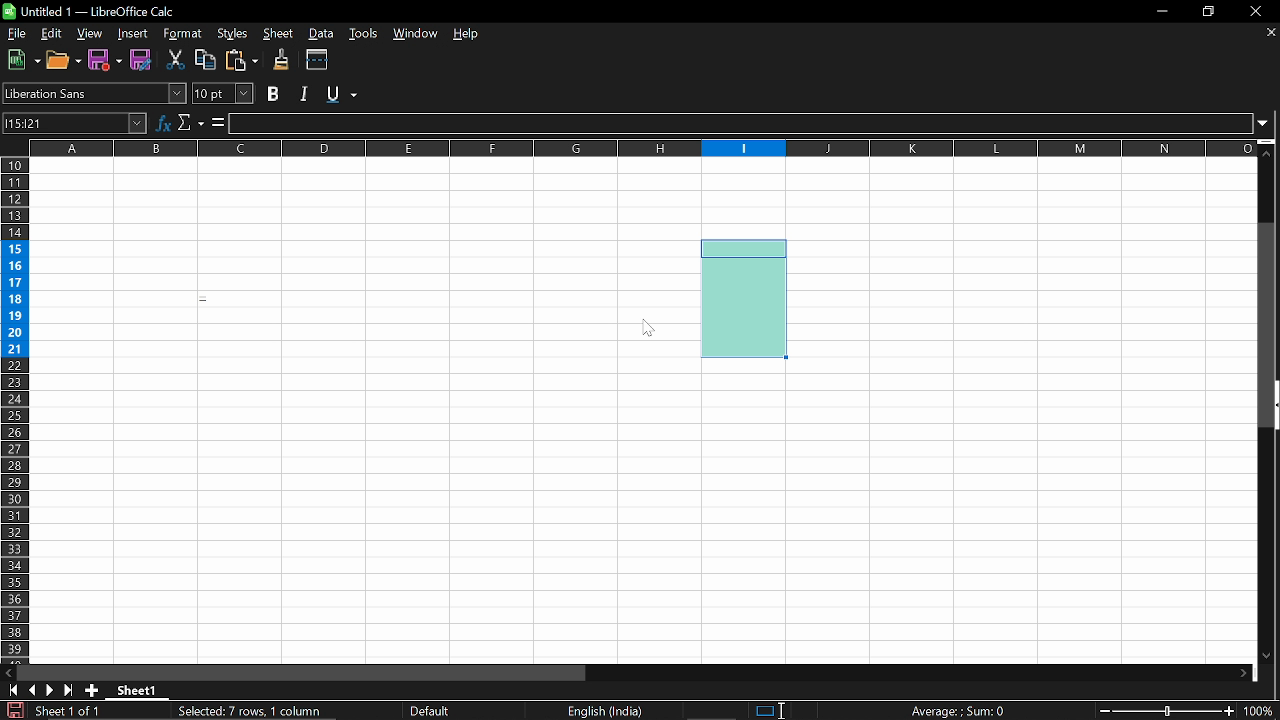  What do you see at coordinates (181, 34) in the screenshot?
I see `Format` at bounding box center [181, 34].